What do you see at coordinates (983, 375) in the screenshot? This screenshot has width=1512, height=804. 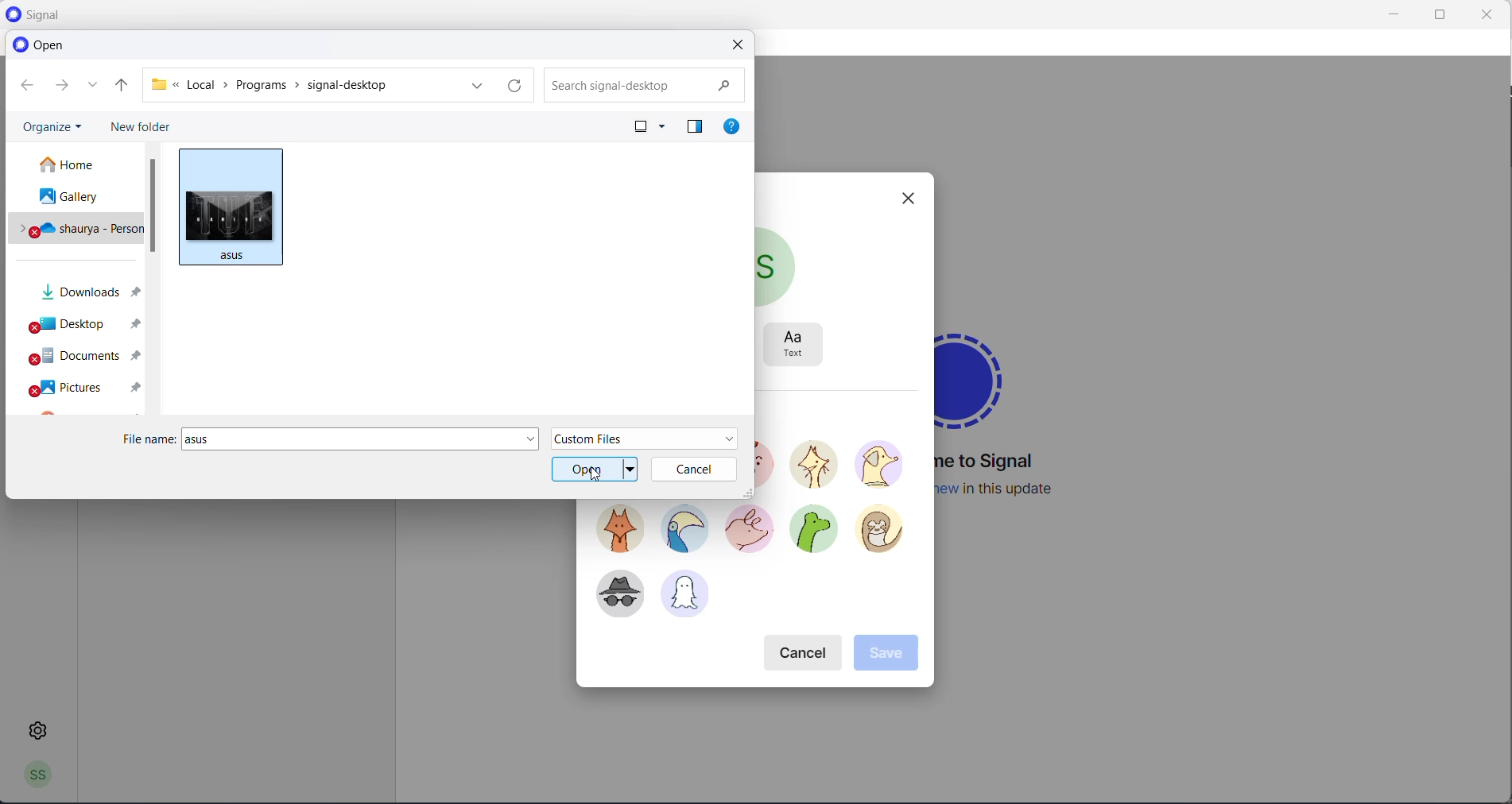 I see `signal logo` at bounding box center [983, 375].